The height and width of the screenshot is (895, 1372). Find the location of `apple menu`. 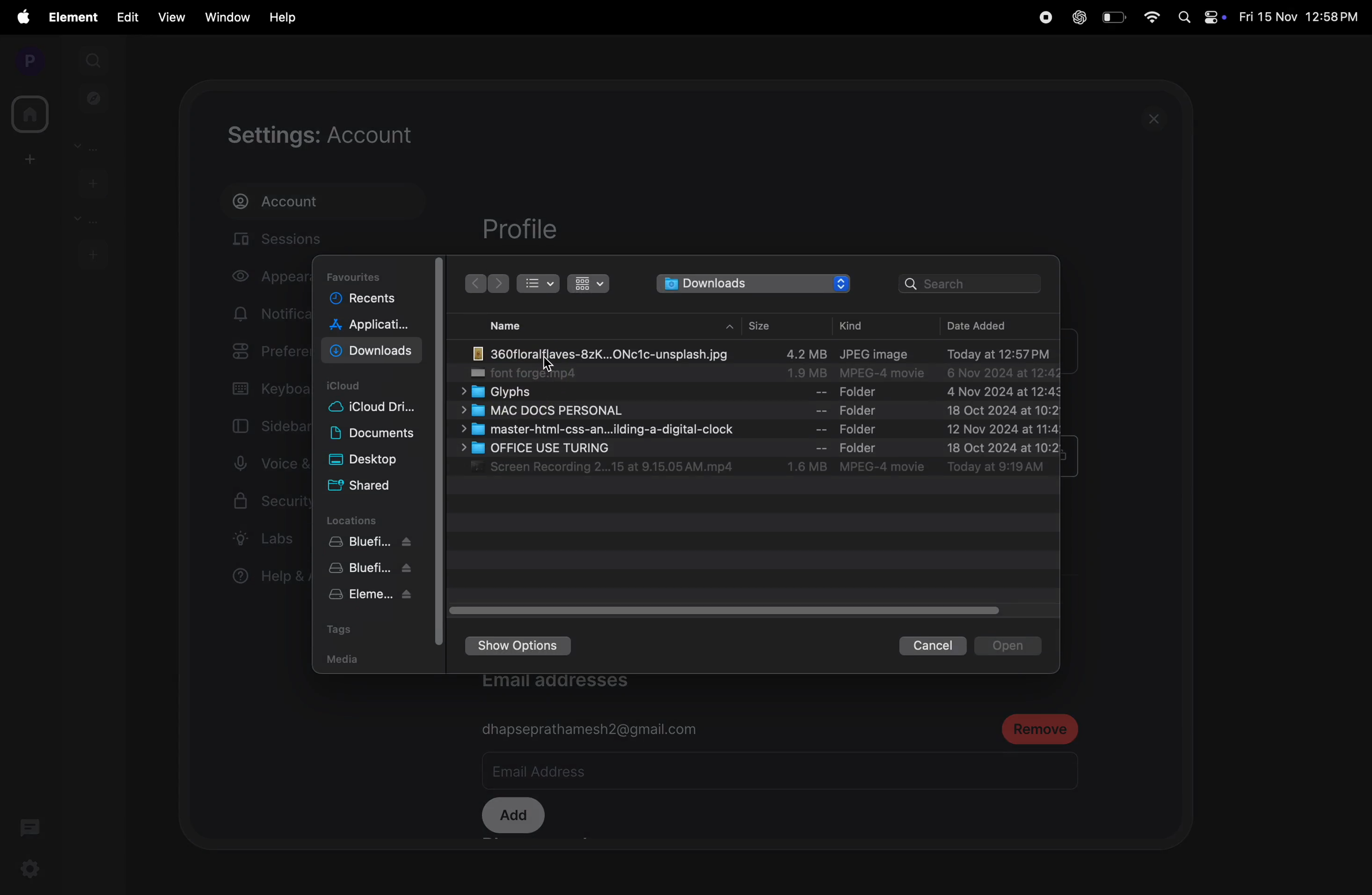

apple menu is located at coordinates (22, 17).